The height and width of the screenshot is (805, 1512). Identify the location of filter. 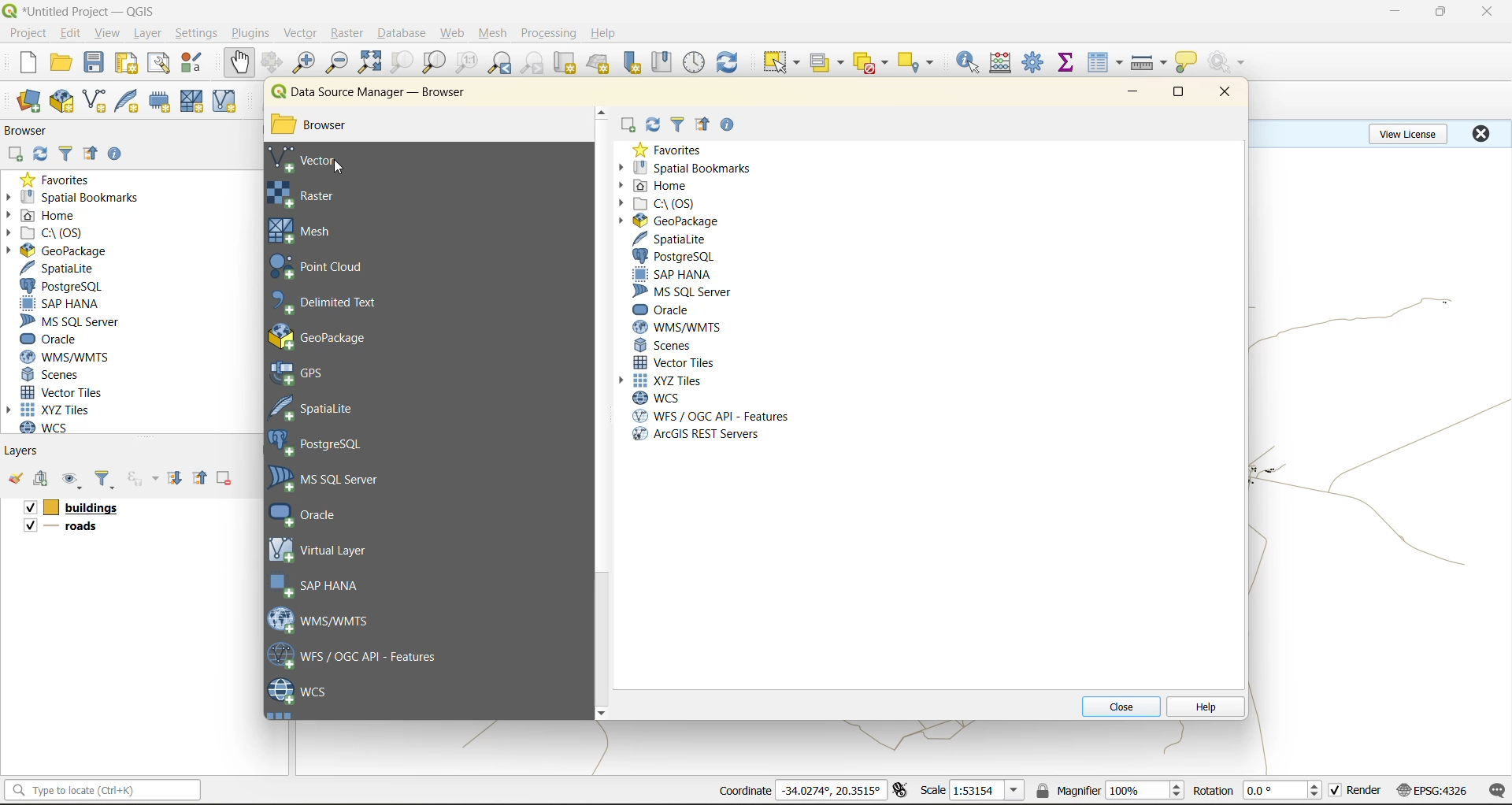
(69, 152).